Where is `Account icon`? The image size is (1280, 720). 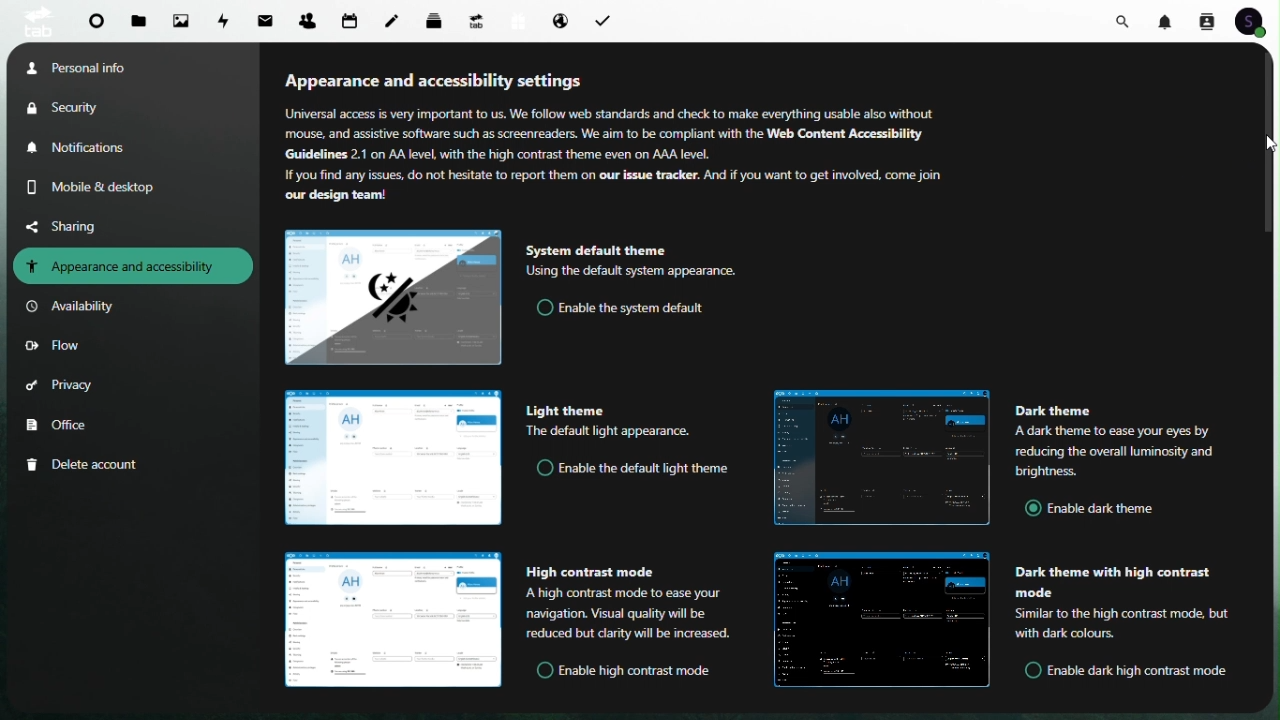
Account icon is located at coordinates (1256, 21).